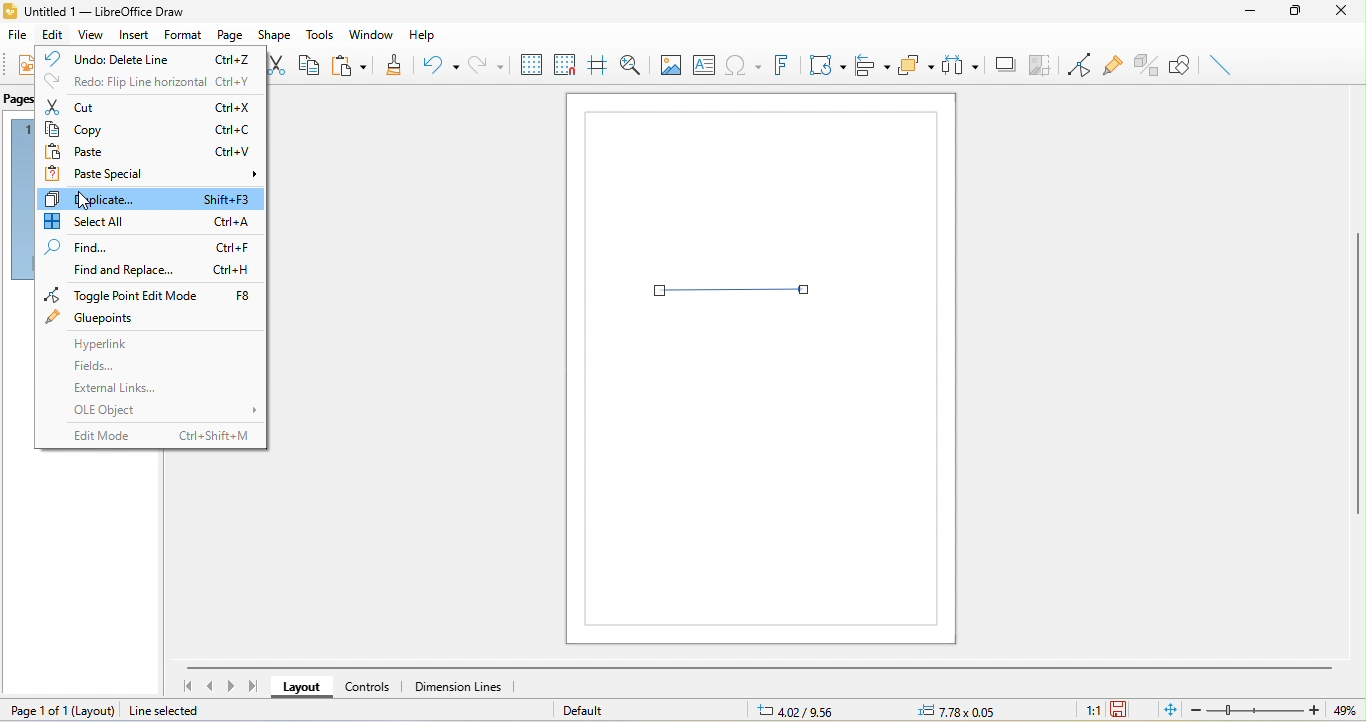  Describe the element at coordinates (149, 296) in the screenshot. I see `toggle point edit mode` at that location.